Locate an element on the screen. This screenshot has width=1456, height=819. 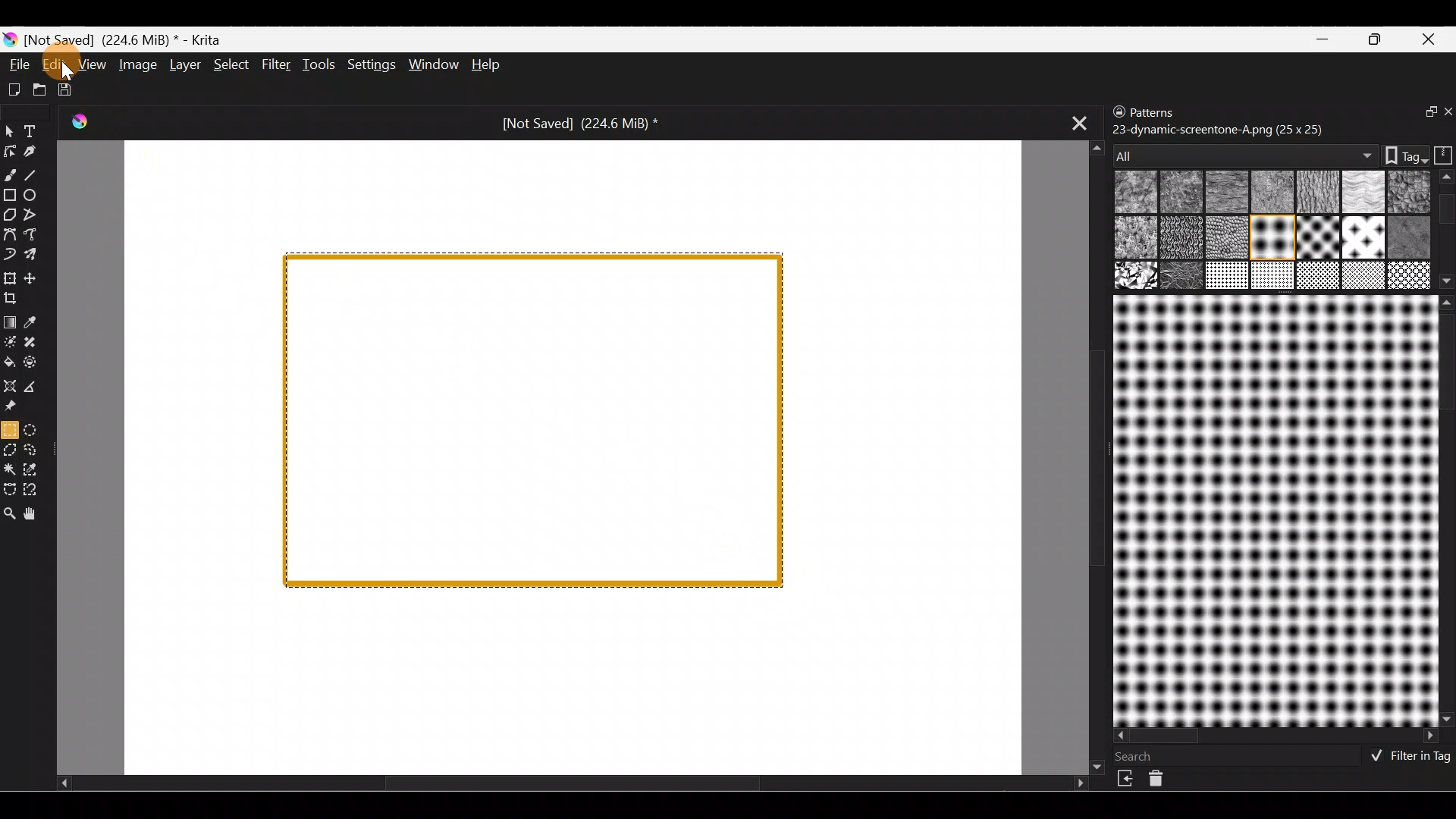
Enclose & fill tool is located at coordinates (38, 362).